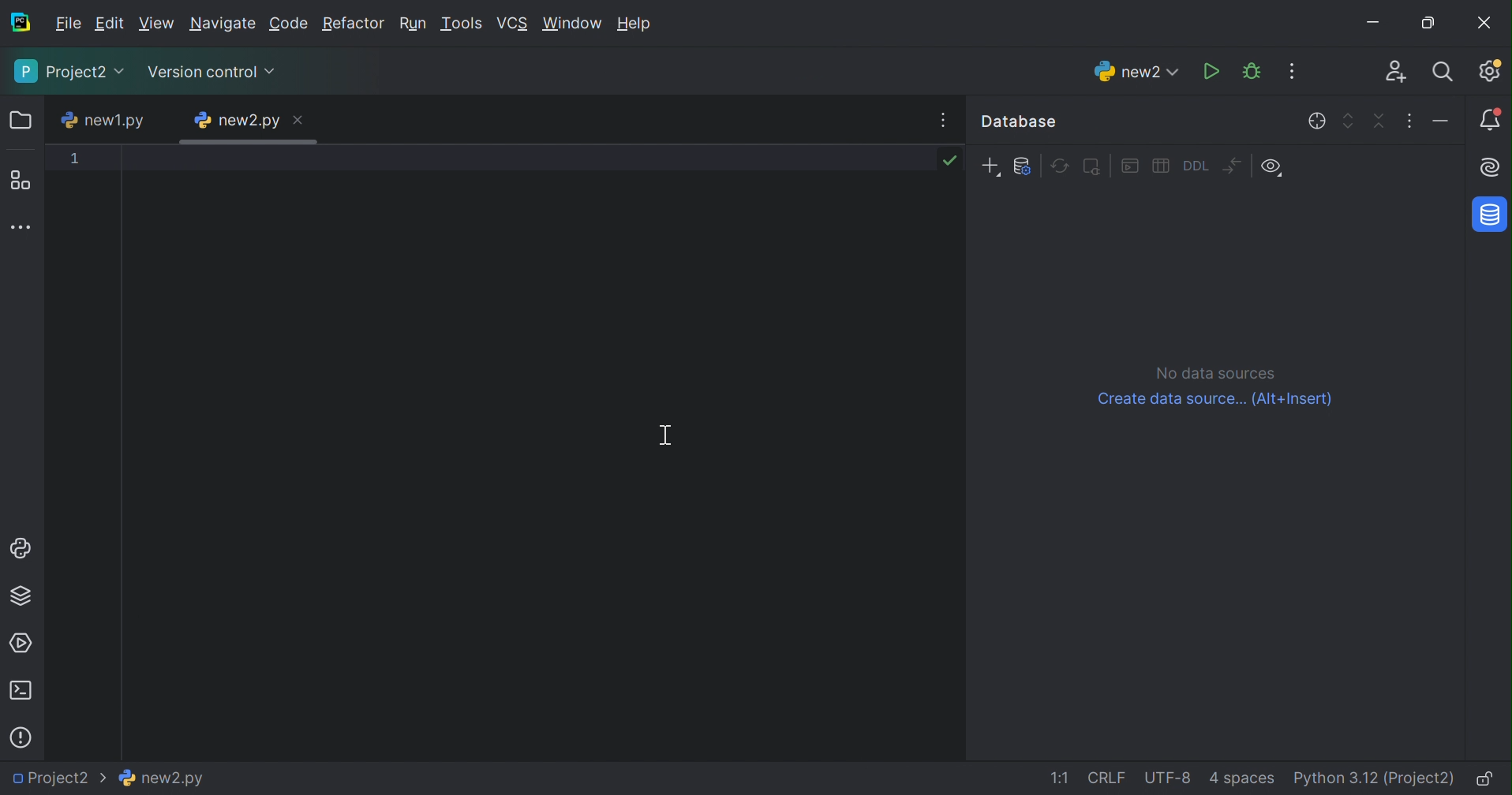  I want to click on Run, so click(1214, 72).